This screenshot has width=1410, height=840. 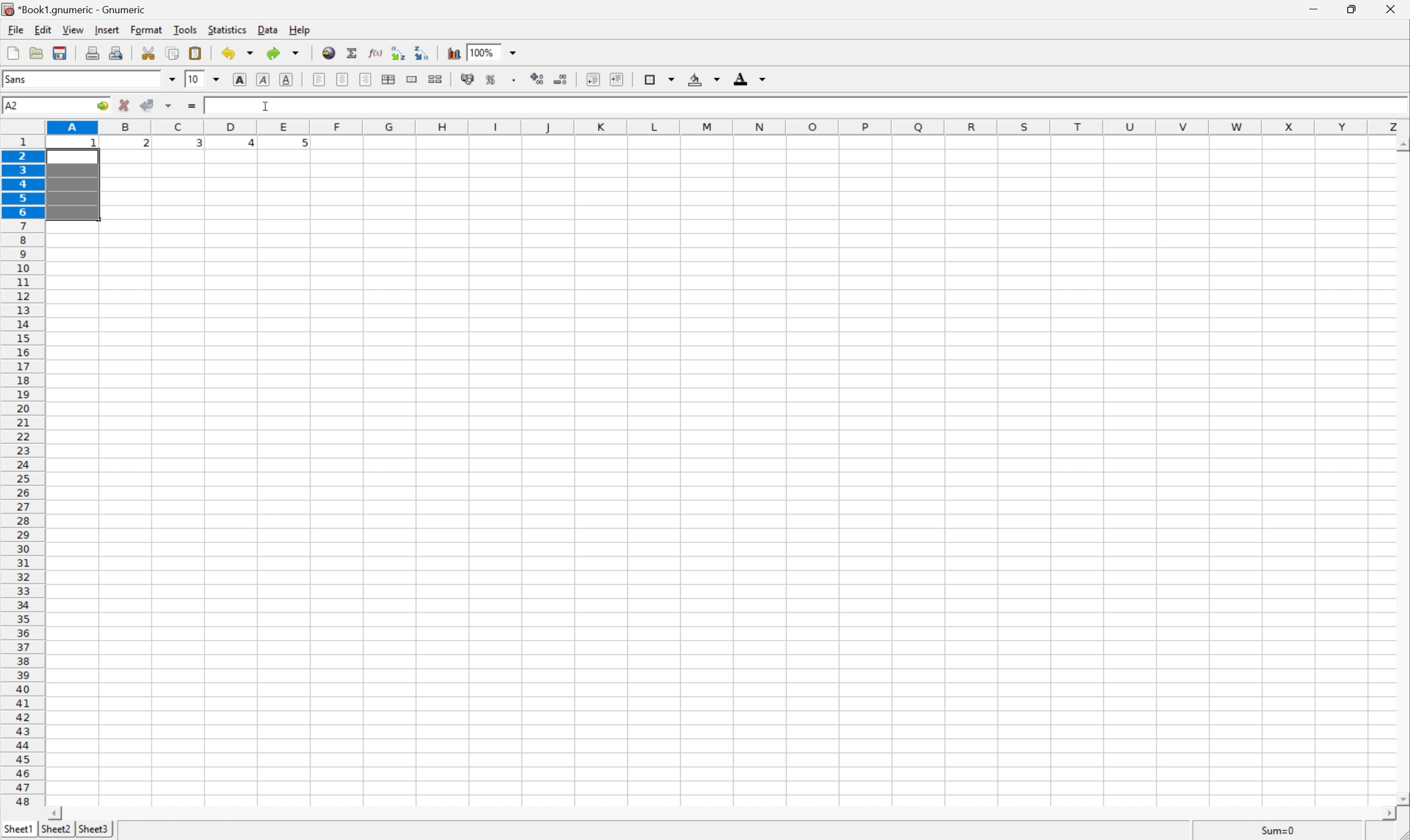 I want to click on center horizontally, so click(x=389, y=79).